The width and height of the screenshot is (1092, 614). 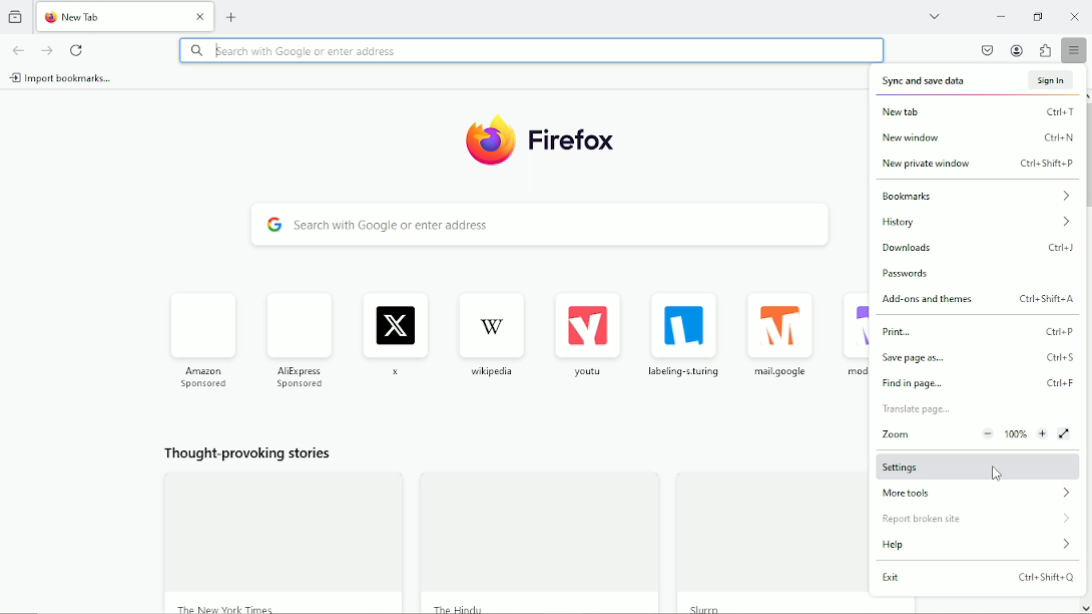 What do you see at coordinates (998, 476) in the screenshot?
I see `Cursor` at bounding box center [998, 476].